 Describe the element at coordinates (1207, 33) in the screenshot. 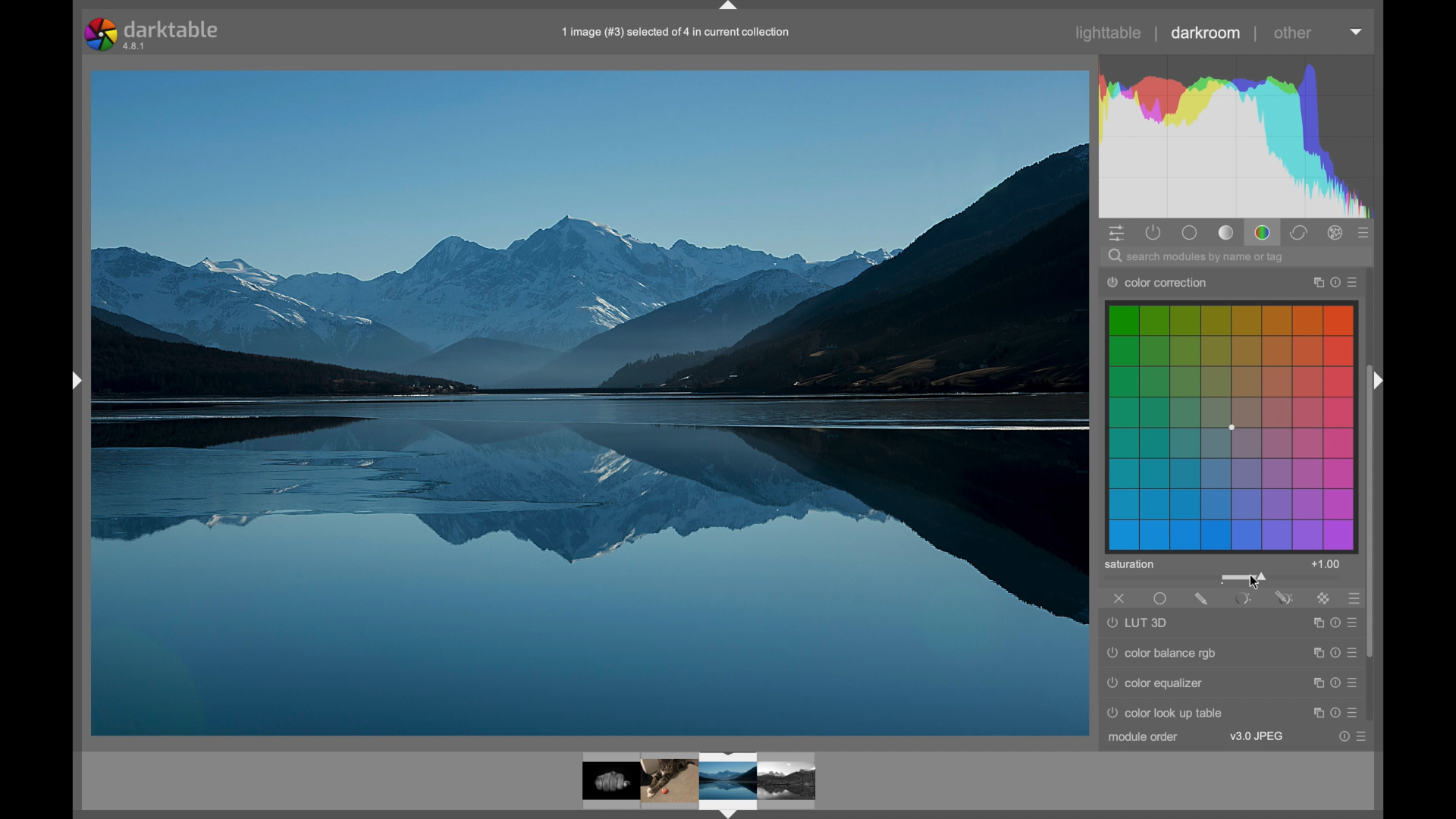

I see `darkroom` at that location.